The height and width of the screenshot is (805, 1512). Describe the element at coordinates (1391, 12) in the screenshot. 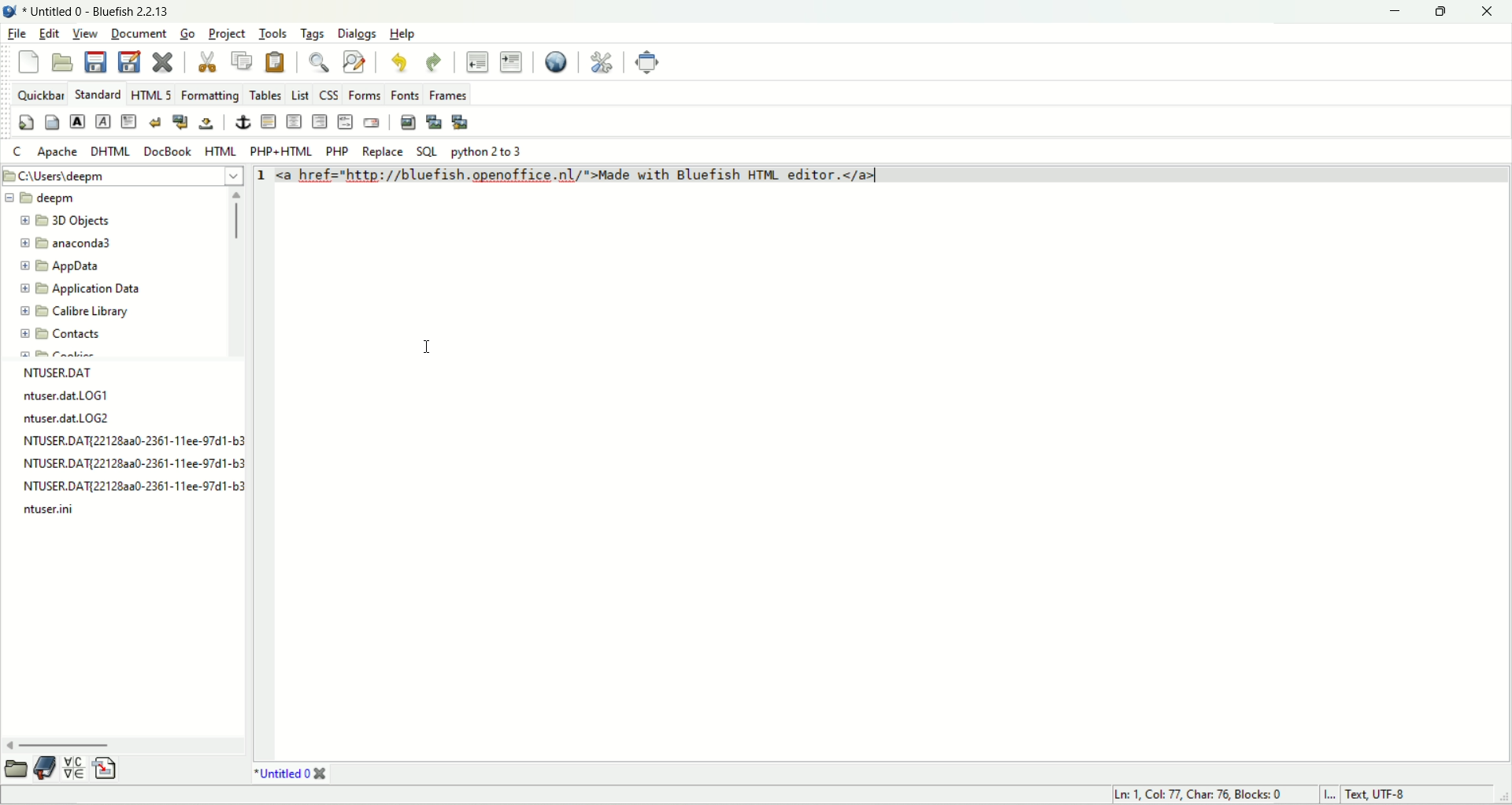

I see `minimize` at that location.